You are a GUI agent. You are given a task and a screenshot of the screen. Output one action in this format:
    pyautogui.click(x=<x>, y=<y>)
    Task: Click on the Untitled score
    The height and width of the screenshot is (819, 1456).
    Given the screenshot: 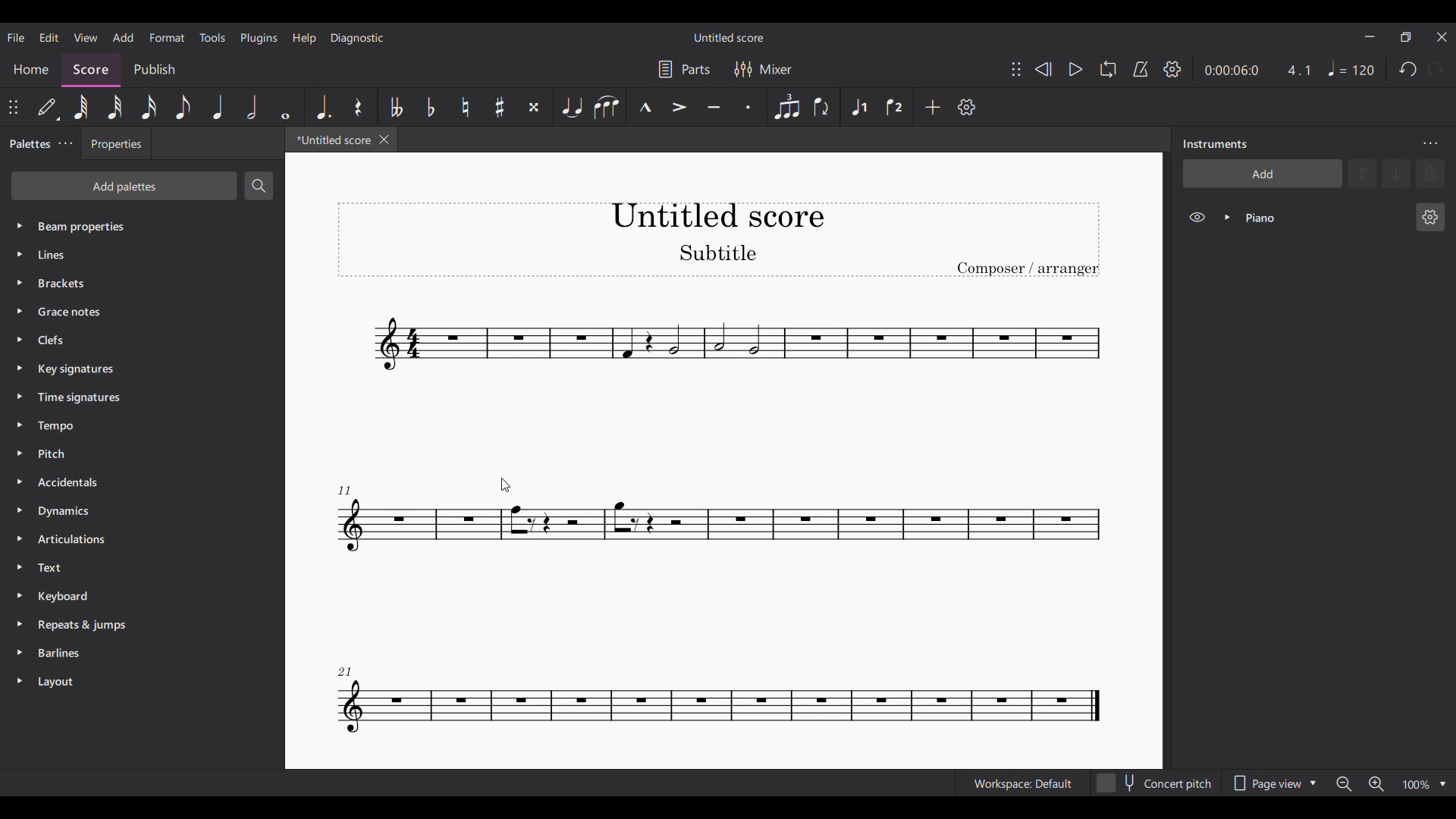 What is the action you would take?
    pyautogui.click(x=728, y=37)
    